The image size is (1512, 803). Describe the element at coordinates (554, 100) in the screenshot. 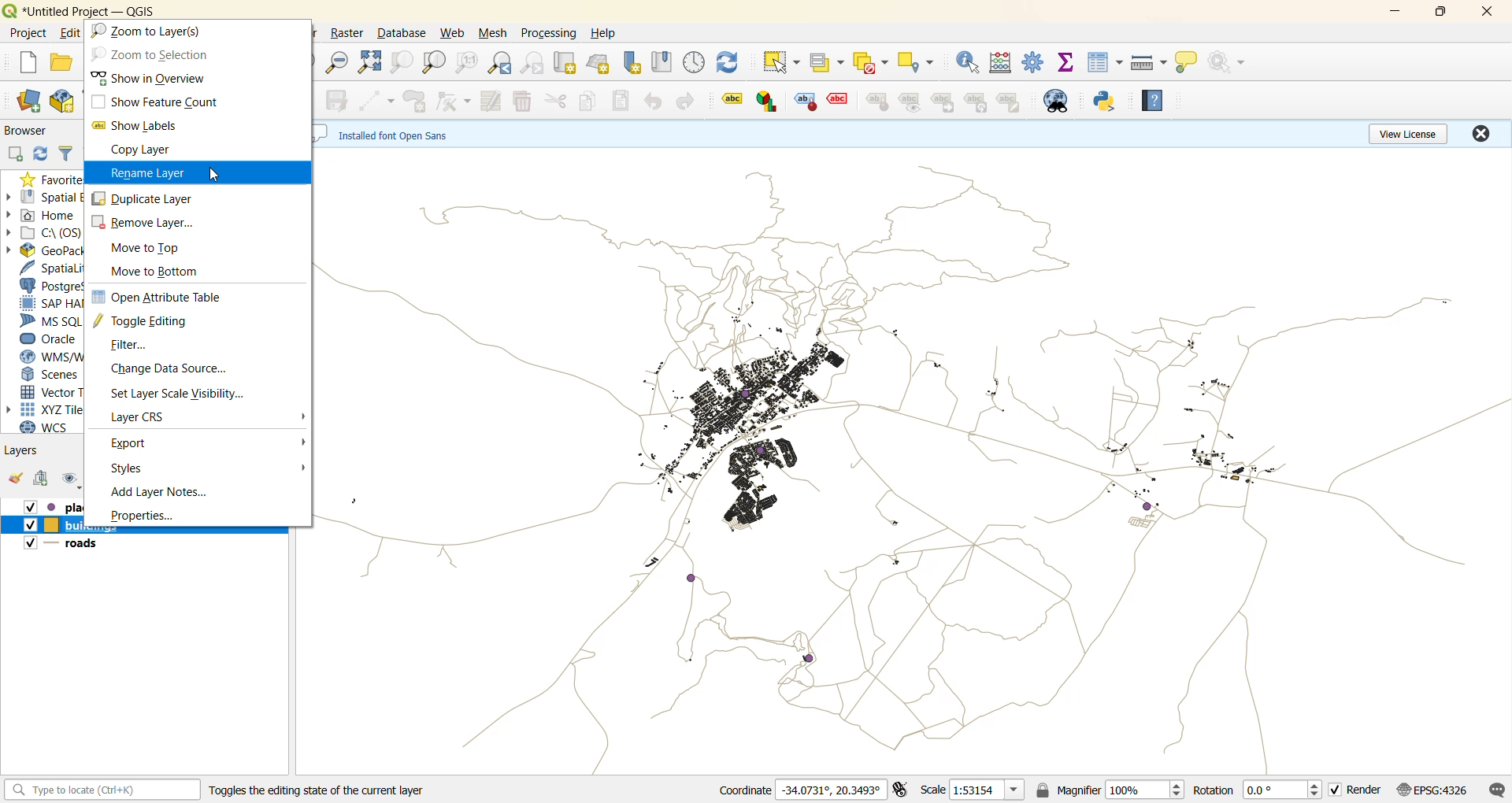

I see `cut` at that location.